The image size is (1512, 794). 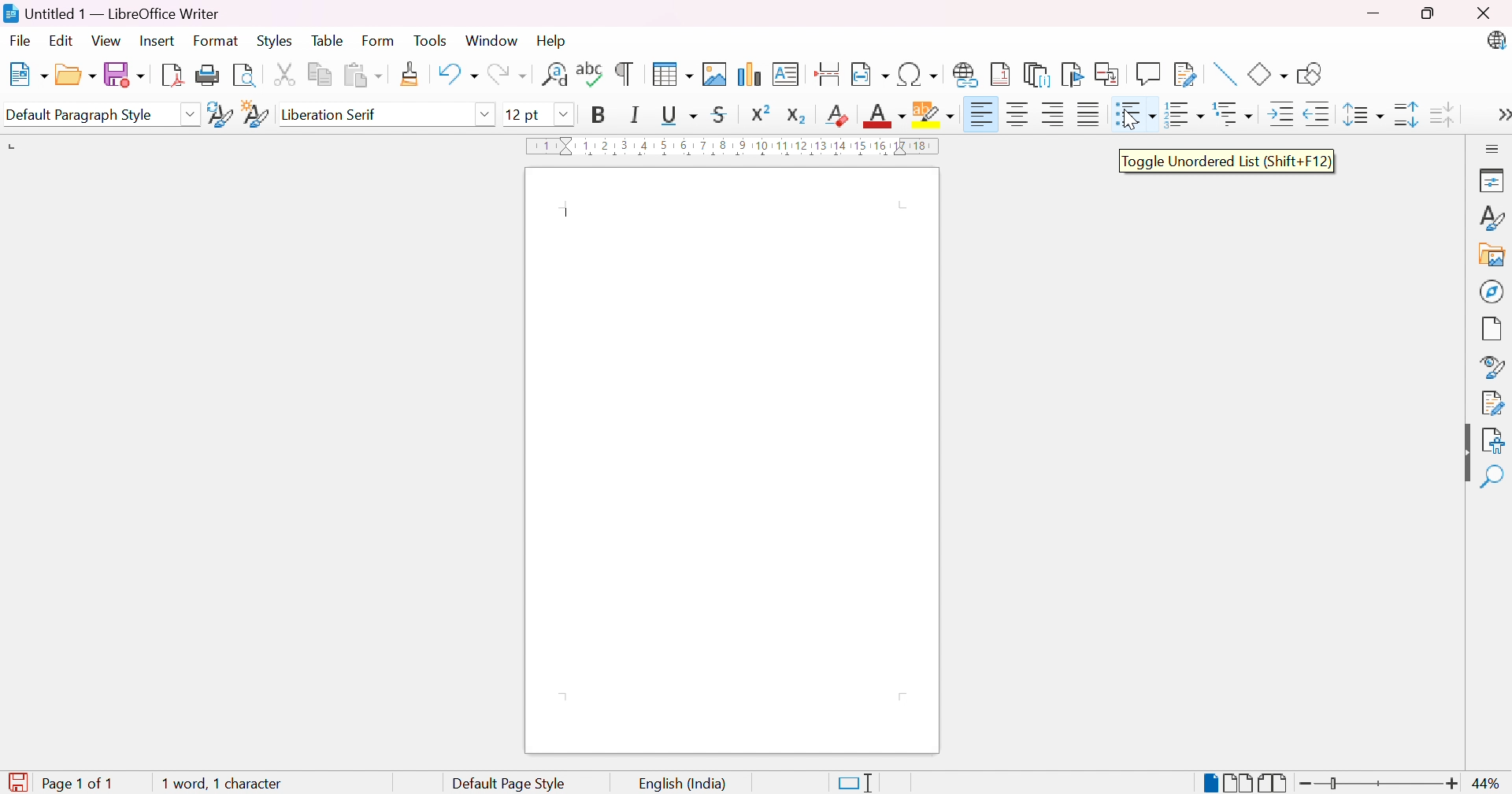 What do you see at coordinates (1493, 147) in the screenshot?
I see `Sidebar settings` at bounding box center [1493, 147].